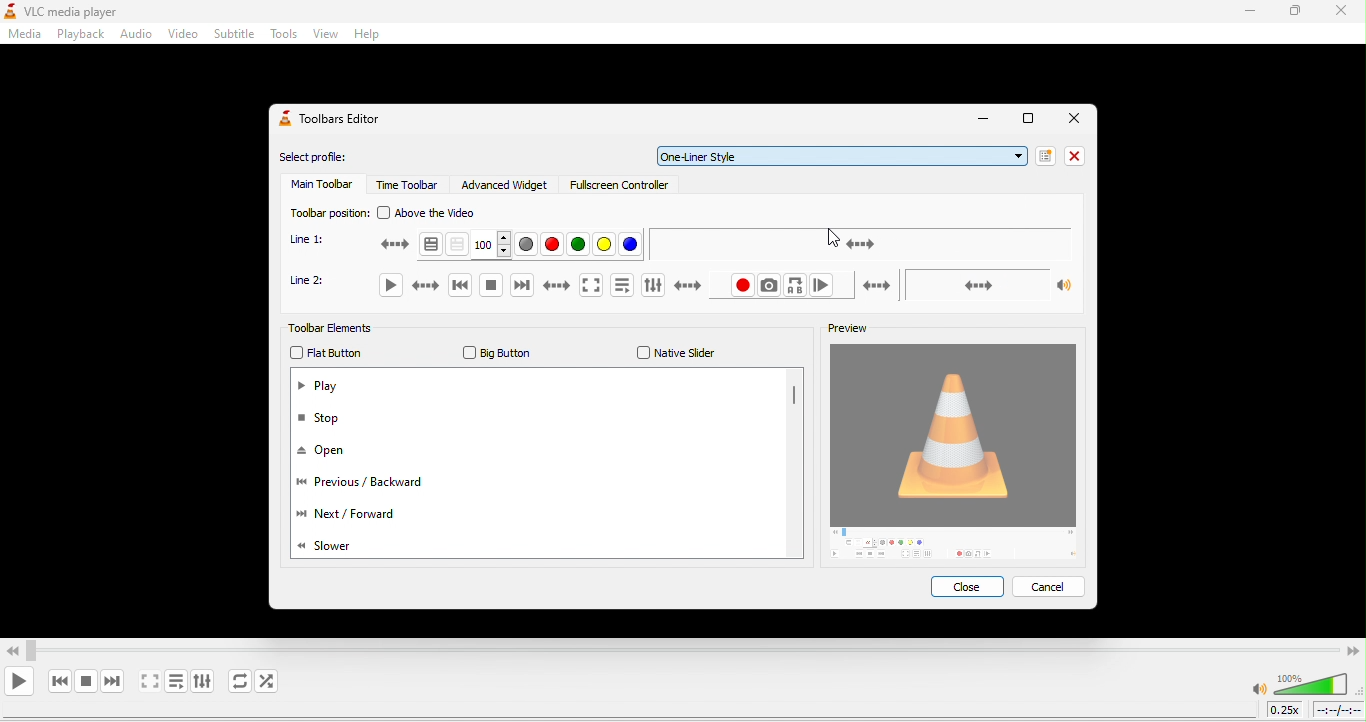 The image size is (1366, 722). I want to click on play, so click(413, 290).